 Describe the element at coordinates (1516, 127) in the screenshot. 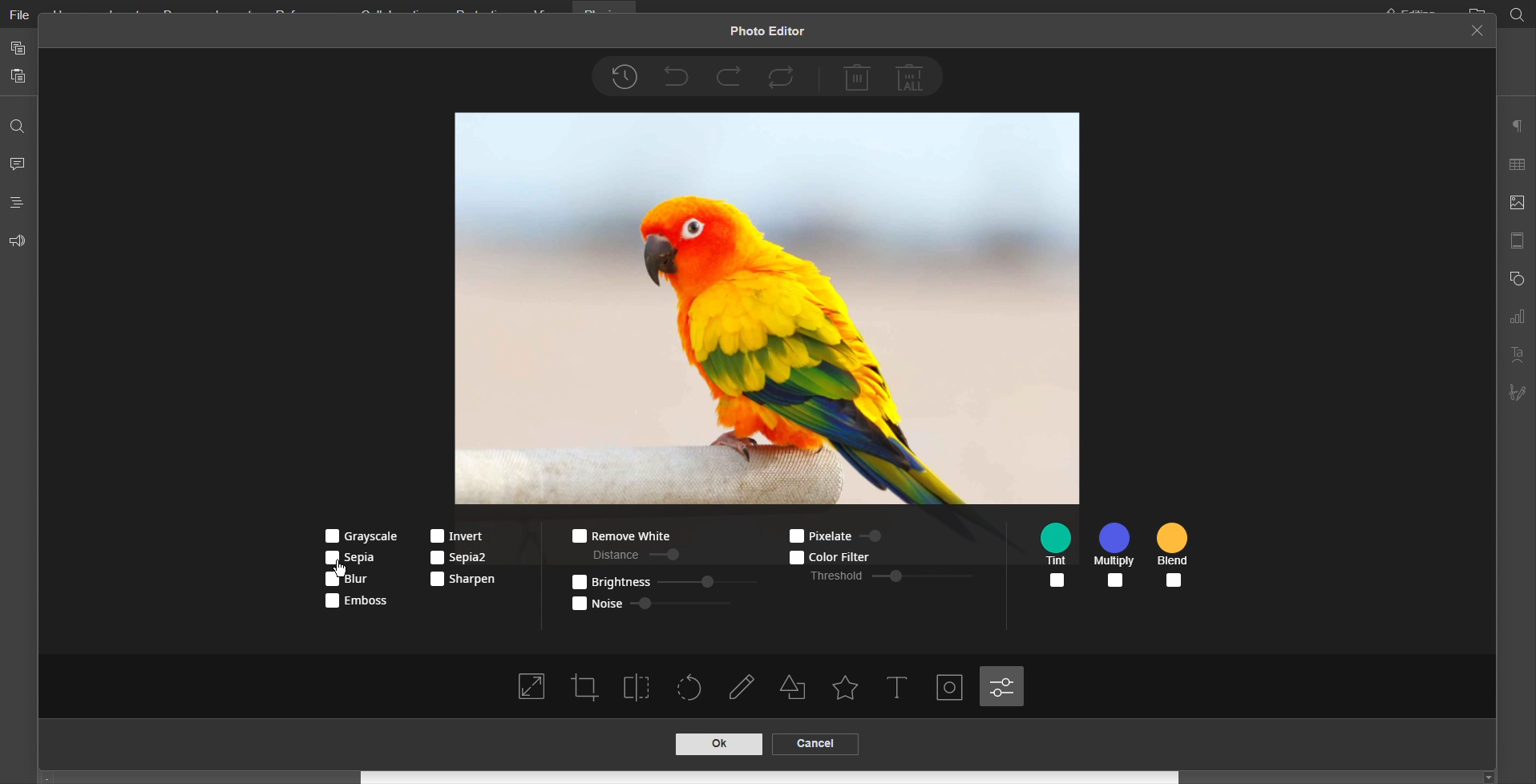

I see `Paragraph Settings` at that location.